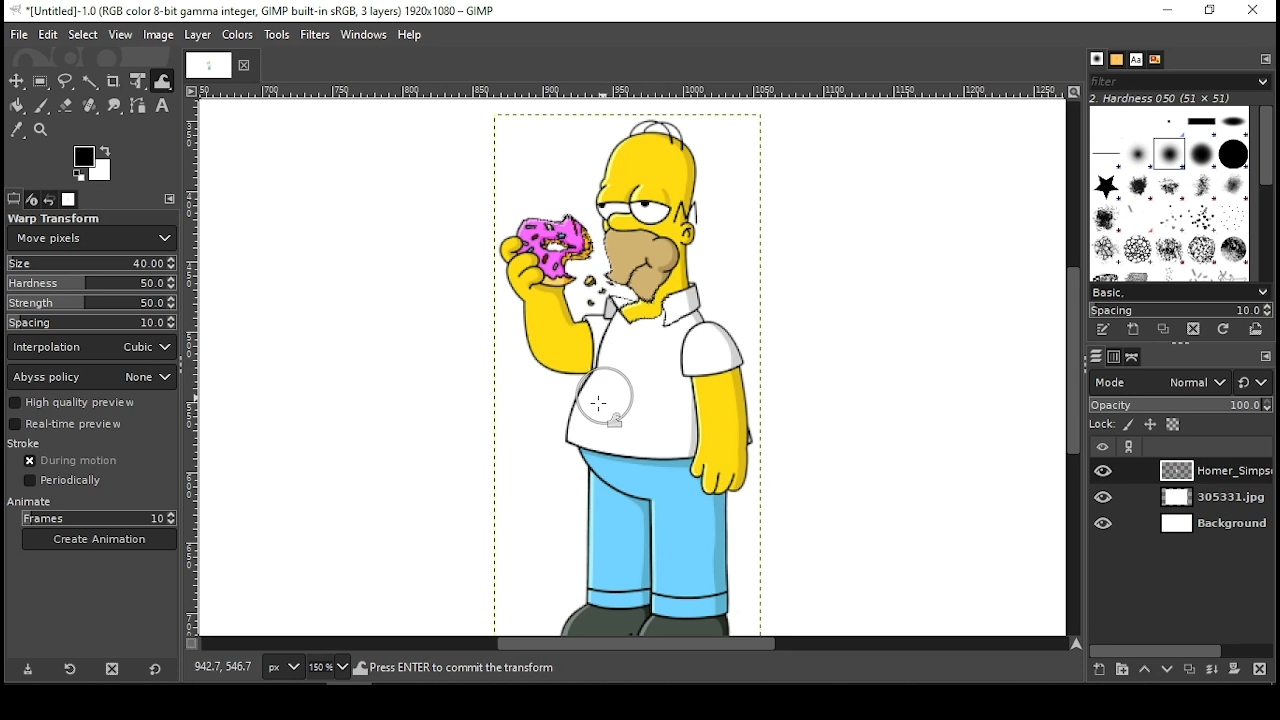 Image resolution: width=1280 pixels, height=720 pixels. Describe the element at coordinates (460, 669) in the screenshot. I see `press enter to commit the transform` at that location.